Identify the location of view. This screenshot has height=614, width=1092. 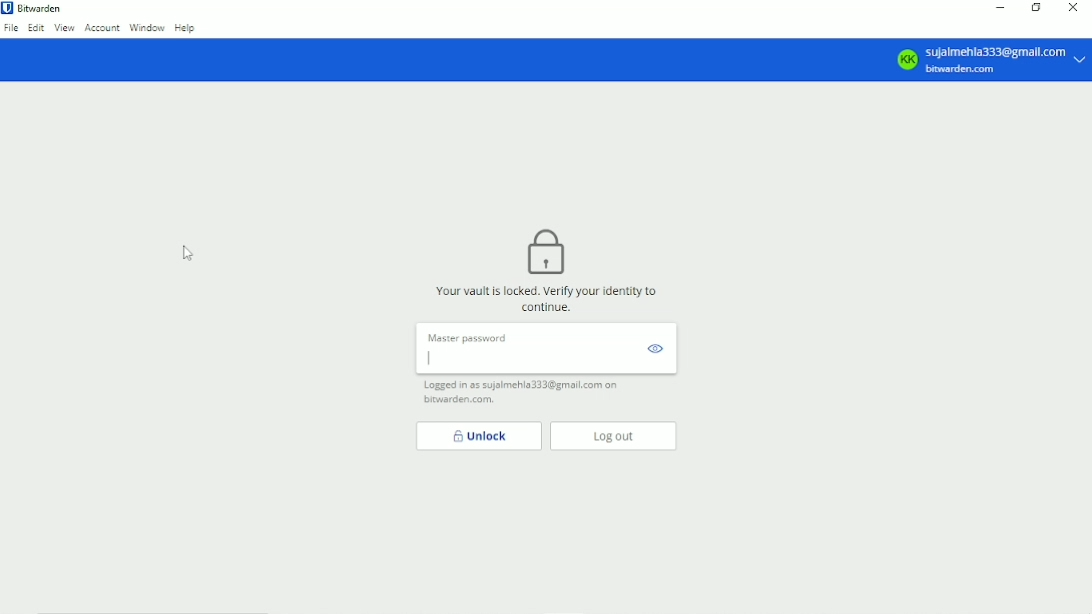
(658, 350).